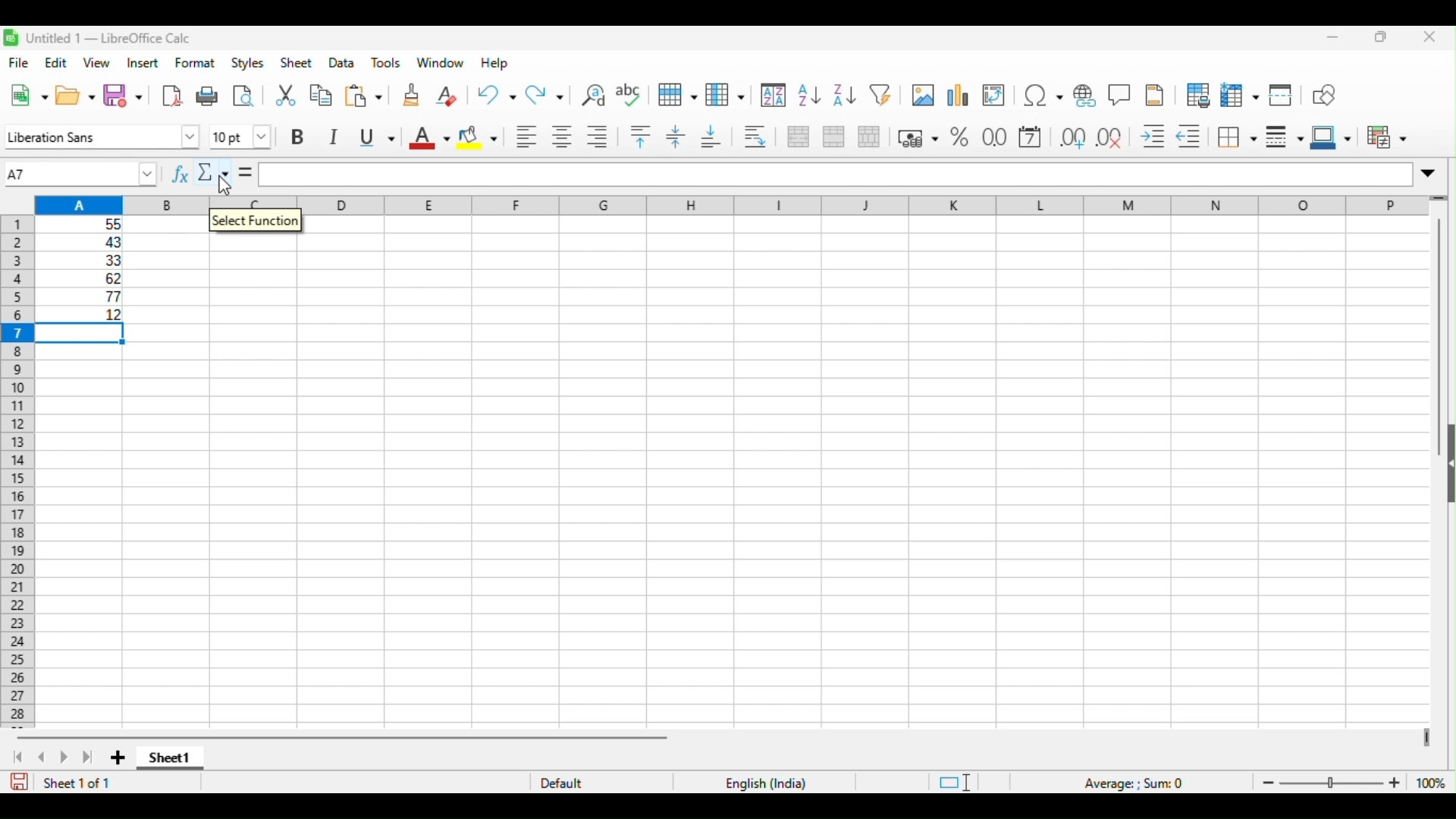  Describe the element at coordinates (19, 782) in the screenshot. I see `save` at that location.